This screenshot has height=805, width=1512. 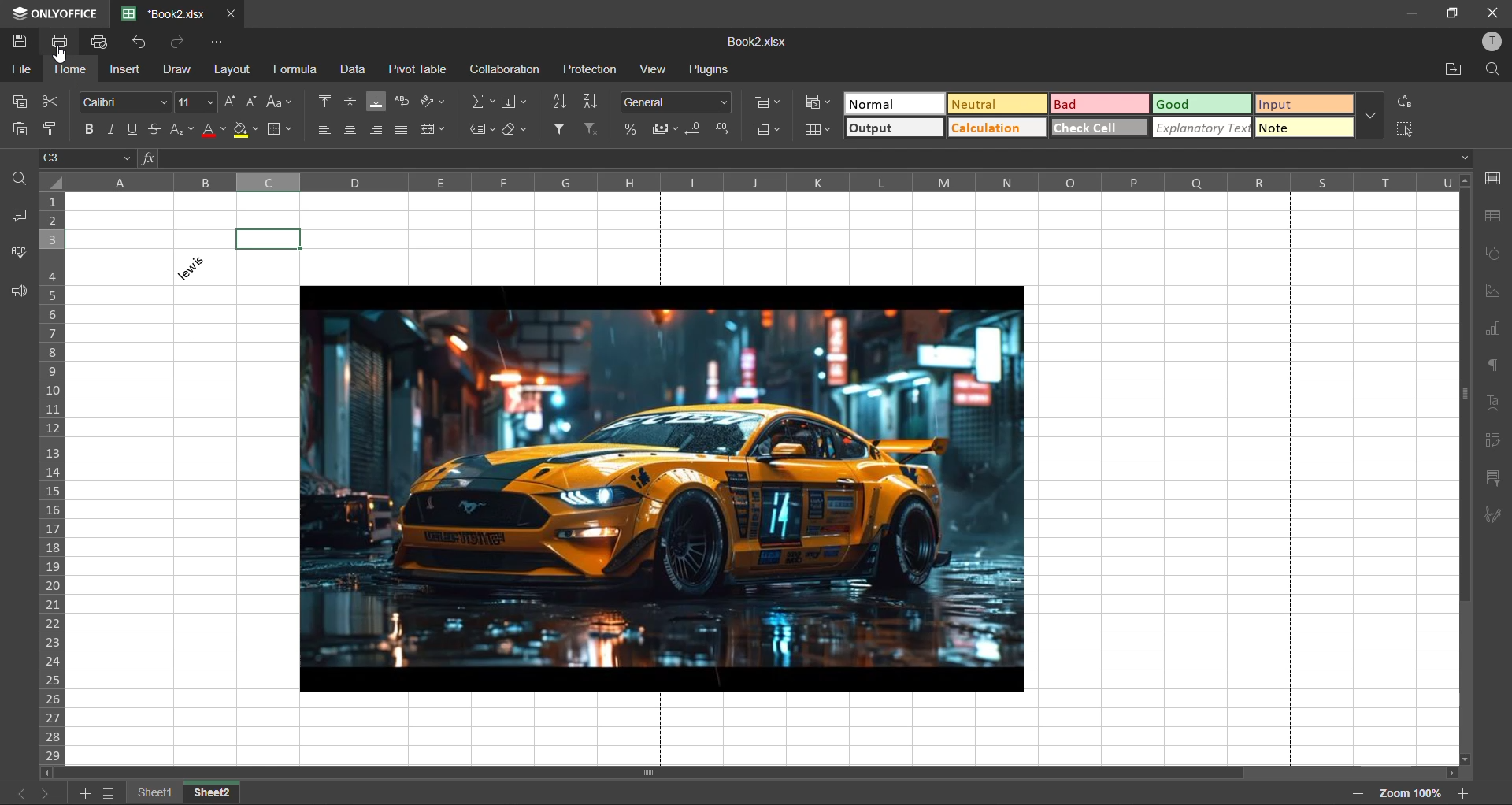 I want to click on sheet list, so click(x=111, y=796).